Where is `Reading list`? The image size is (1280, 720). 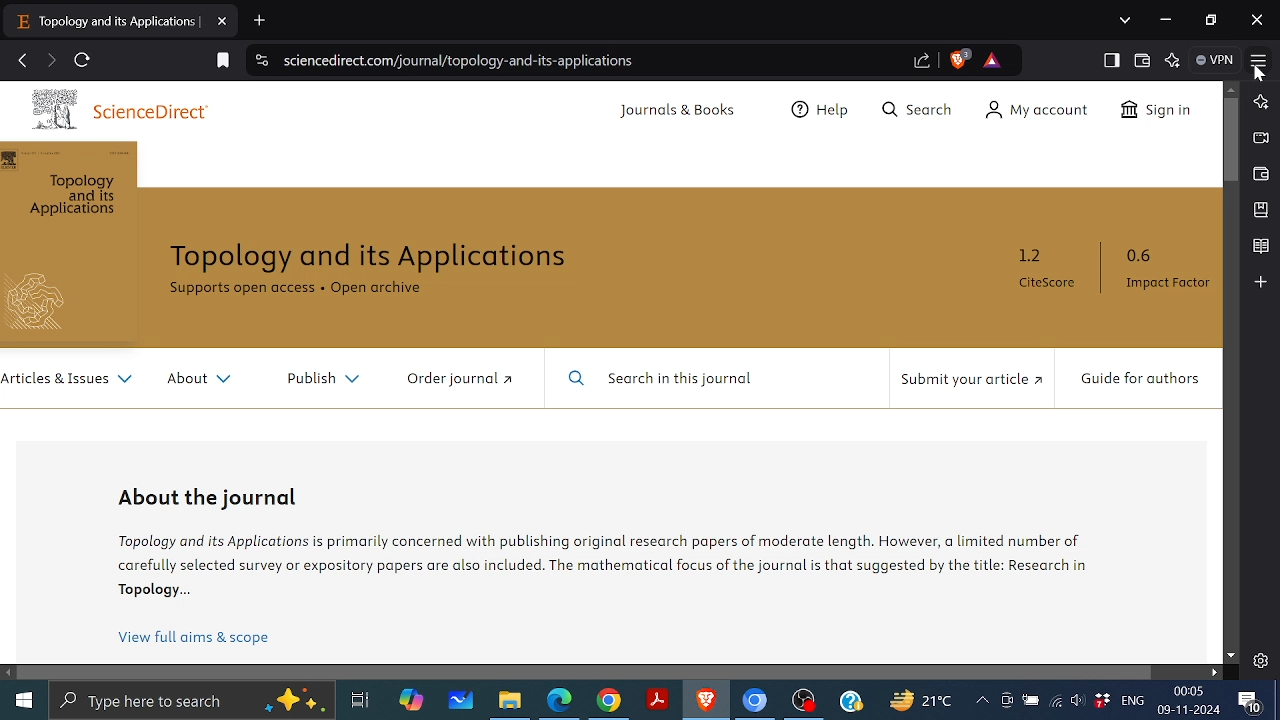
Reading list is located at coordinates (1262, 244).